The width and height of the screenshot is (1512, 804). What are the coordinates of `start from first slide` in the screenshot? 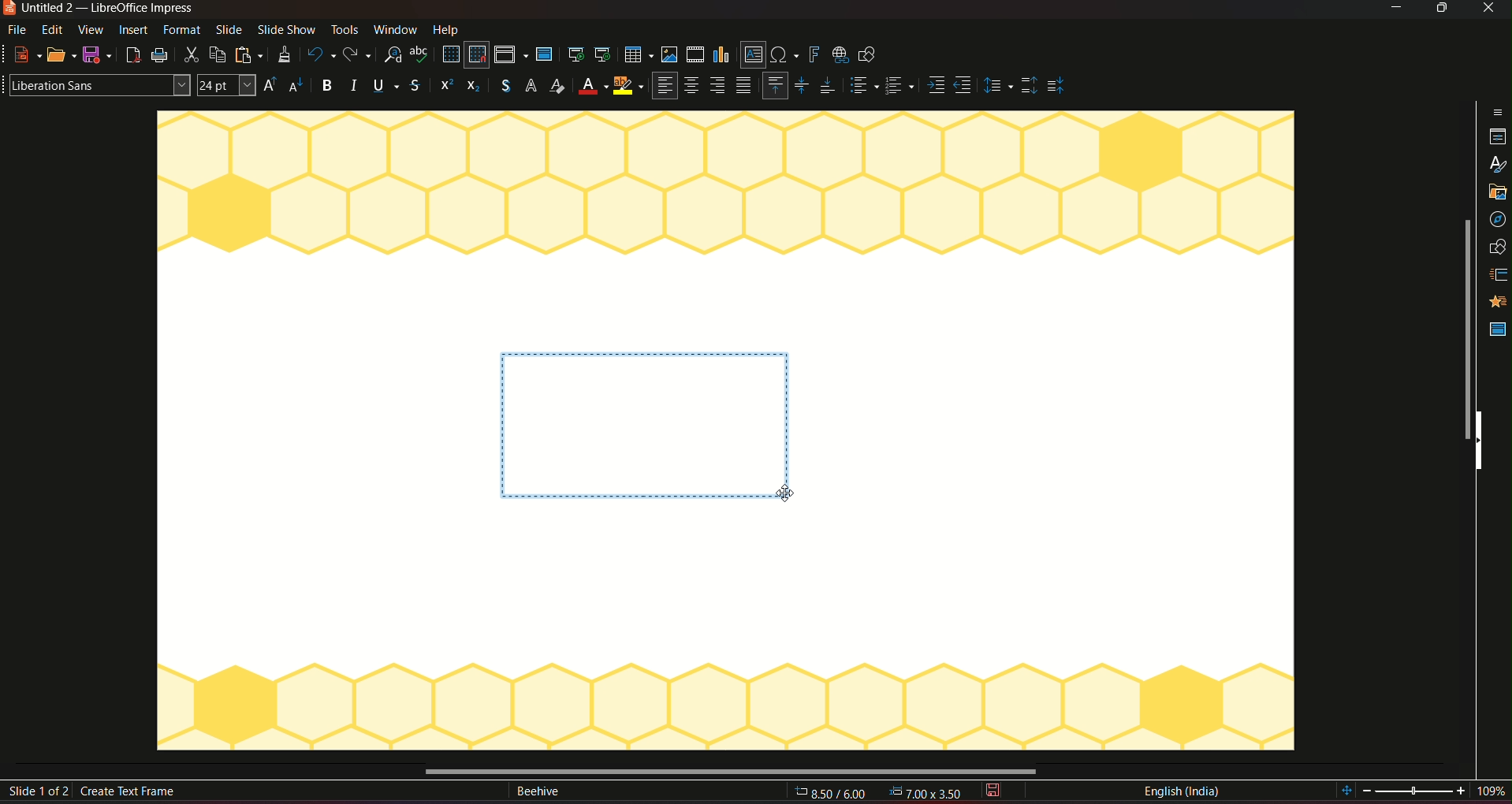 It's located at (575, 54).